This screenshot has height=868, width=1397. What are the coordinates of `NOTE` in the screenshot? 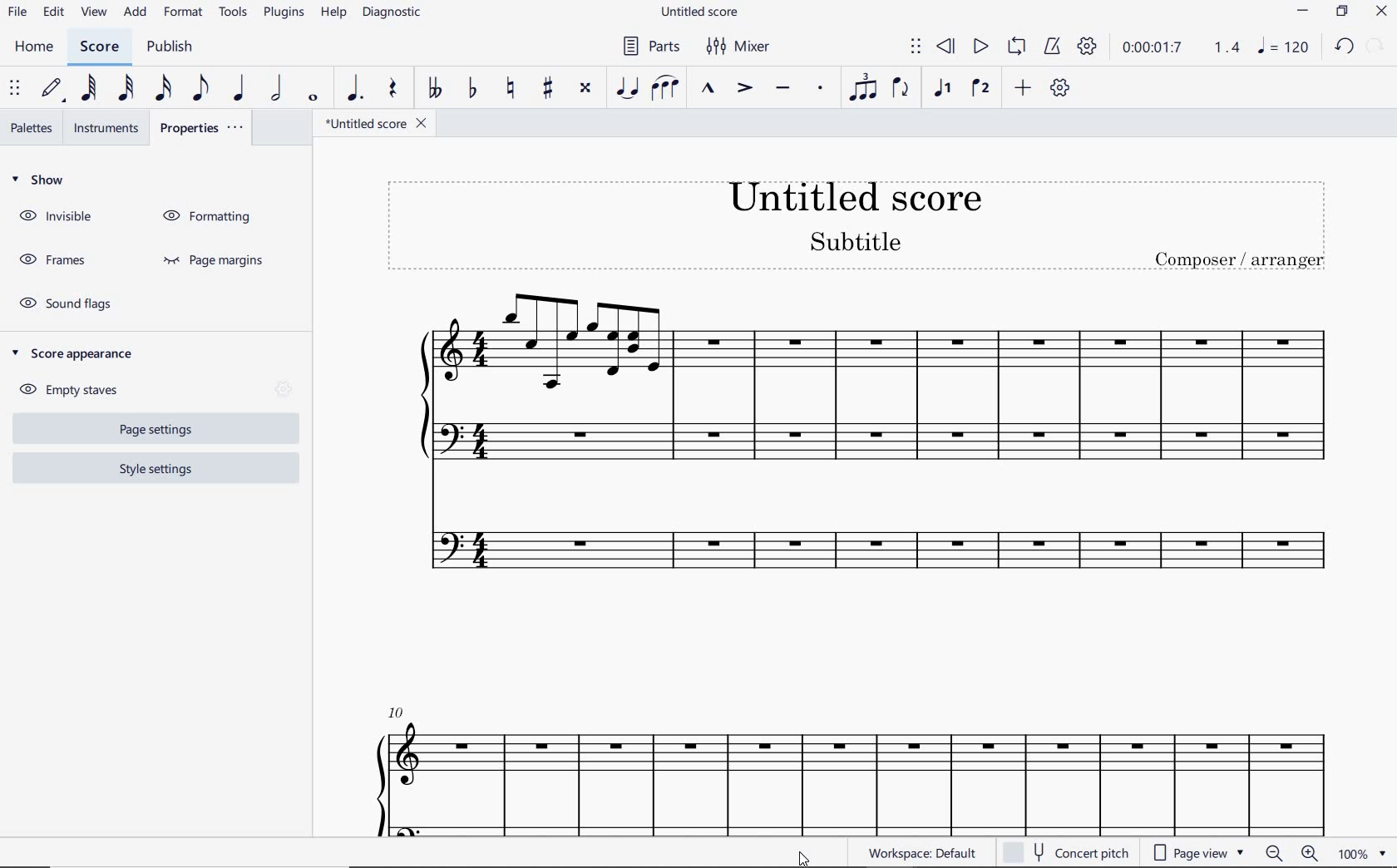 It's located at (1282, 47).